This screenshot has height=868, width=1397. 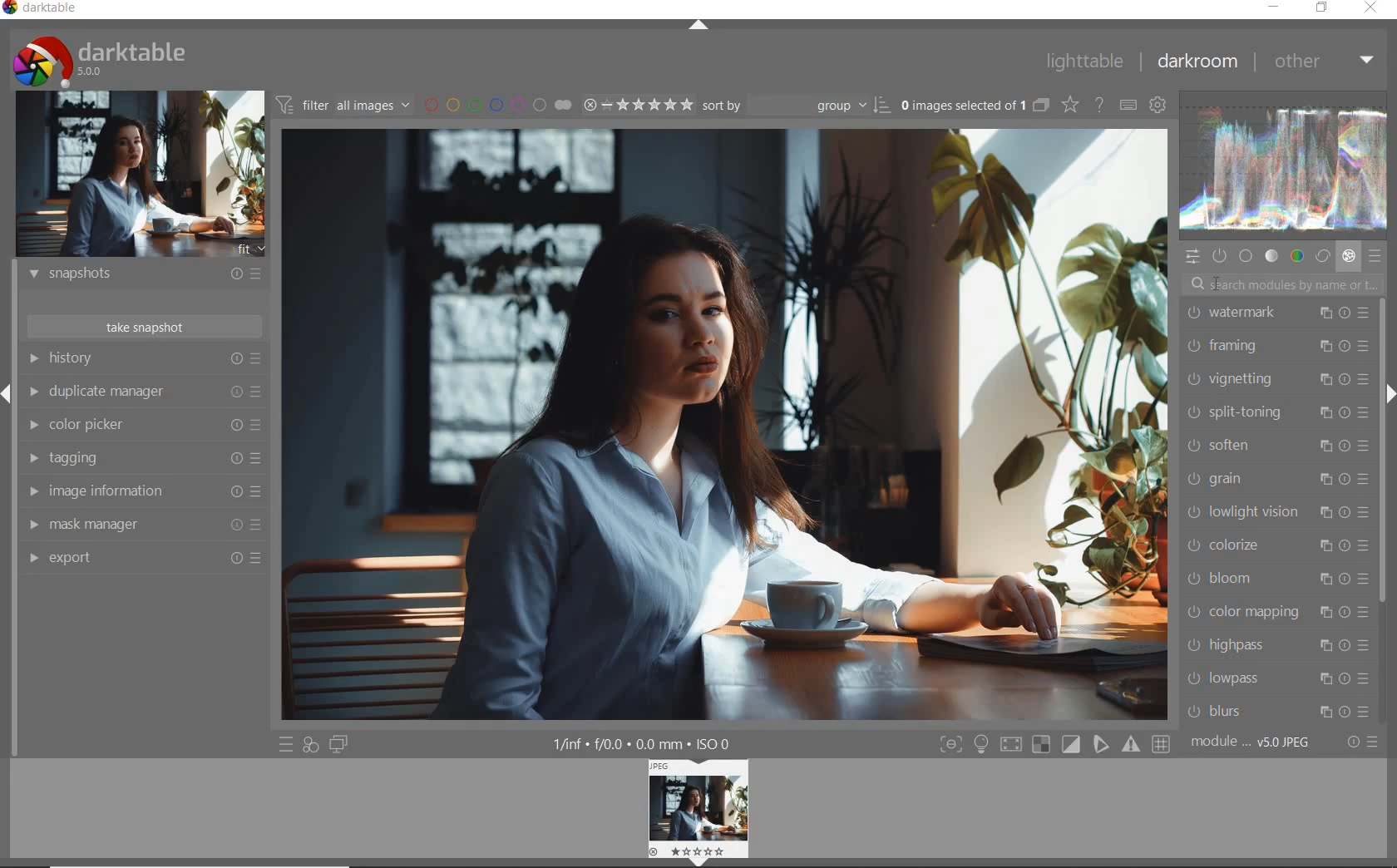 What do you see at coordinates (1362, 742) in the screenshot?
I see `reset or presets & preferences` at bounding box center [1362, 742].